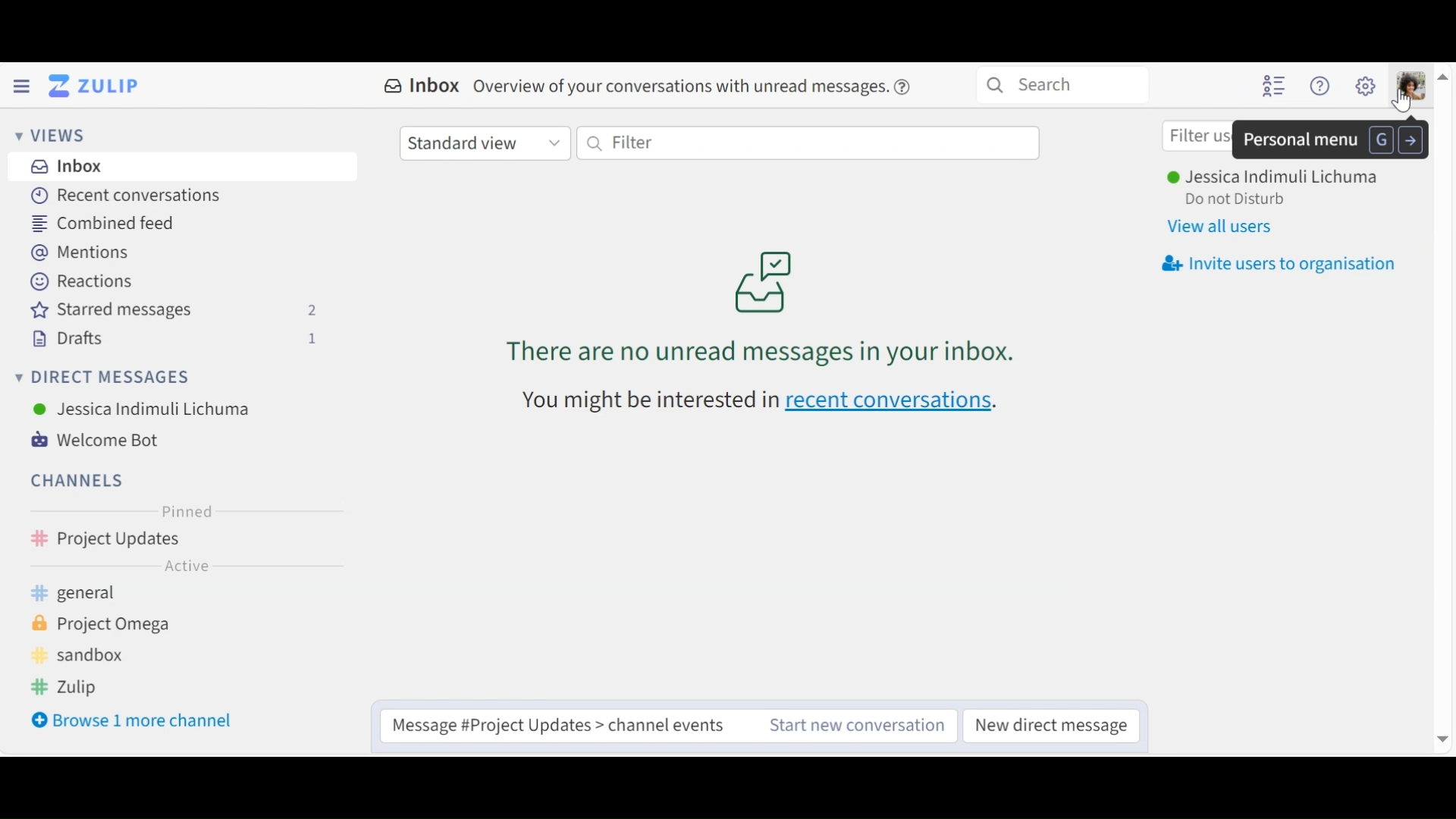 This screenshot has width=1456, height=819. I want to click on Cursor, so click(1399, 100).